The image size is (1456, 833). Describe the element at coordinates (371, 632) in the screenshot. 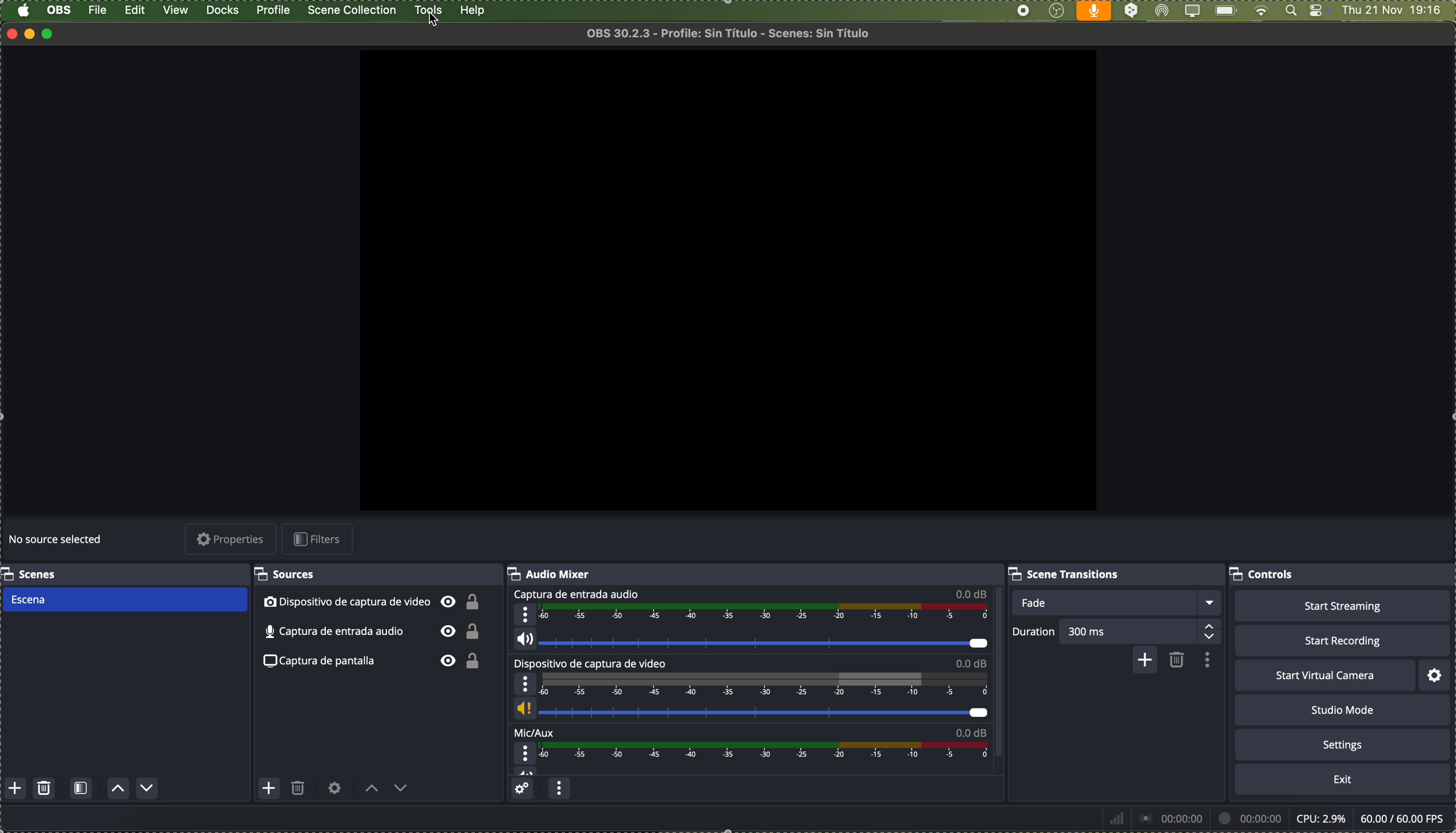

I see `audio input capture` at that location.